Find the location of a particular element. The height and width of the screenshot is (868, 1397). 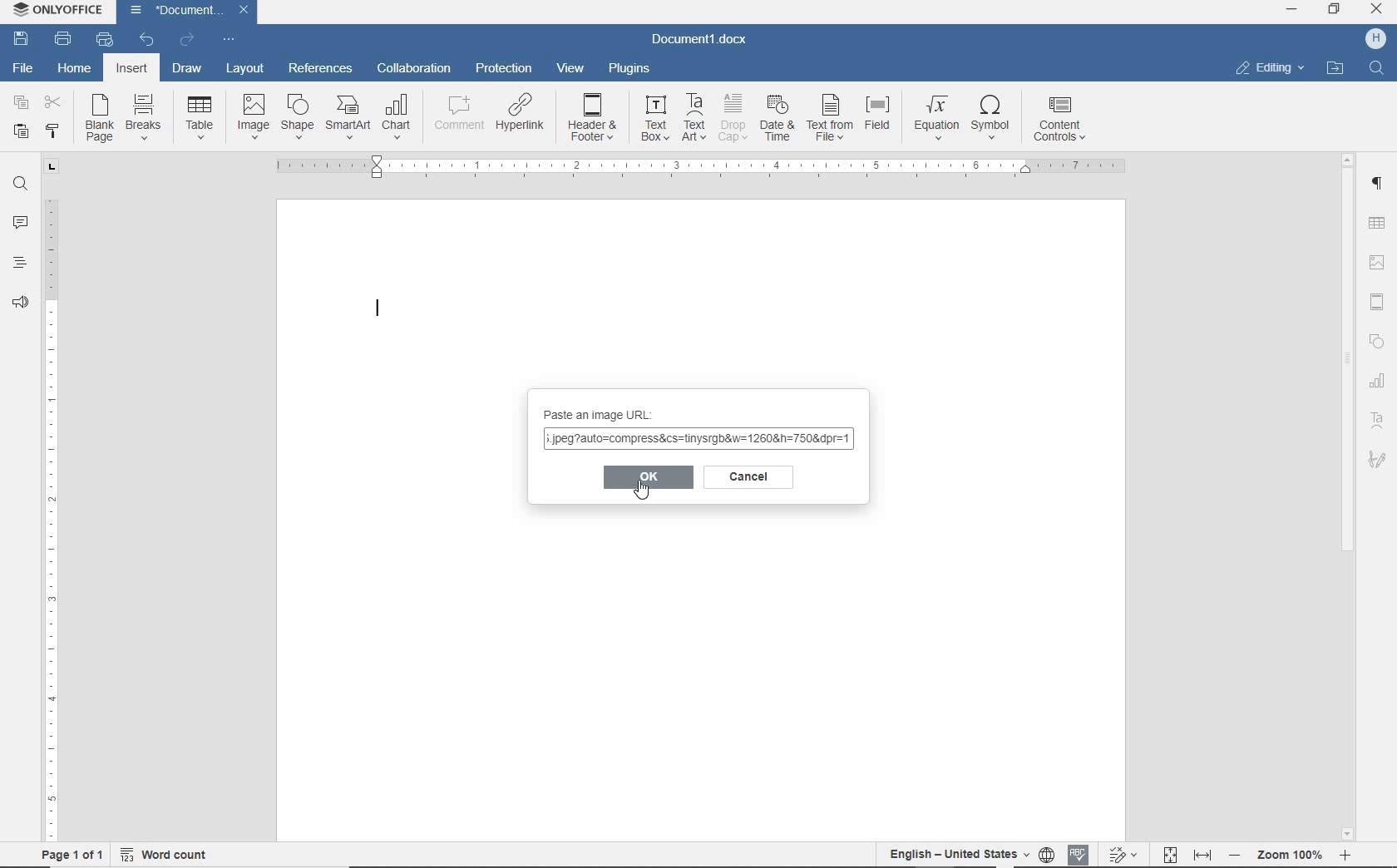

chart is located at coordinates (1376, 381).